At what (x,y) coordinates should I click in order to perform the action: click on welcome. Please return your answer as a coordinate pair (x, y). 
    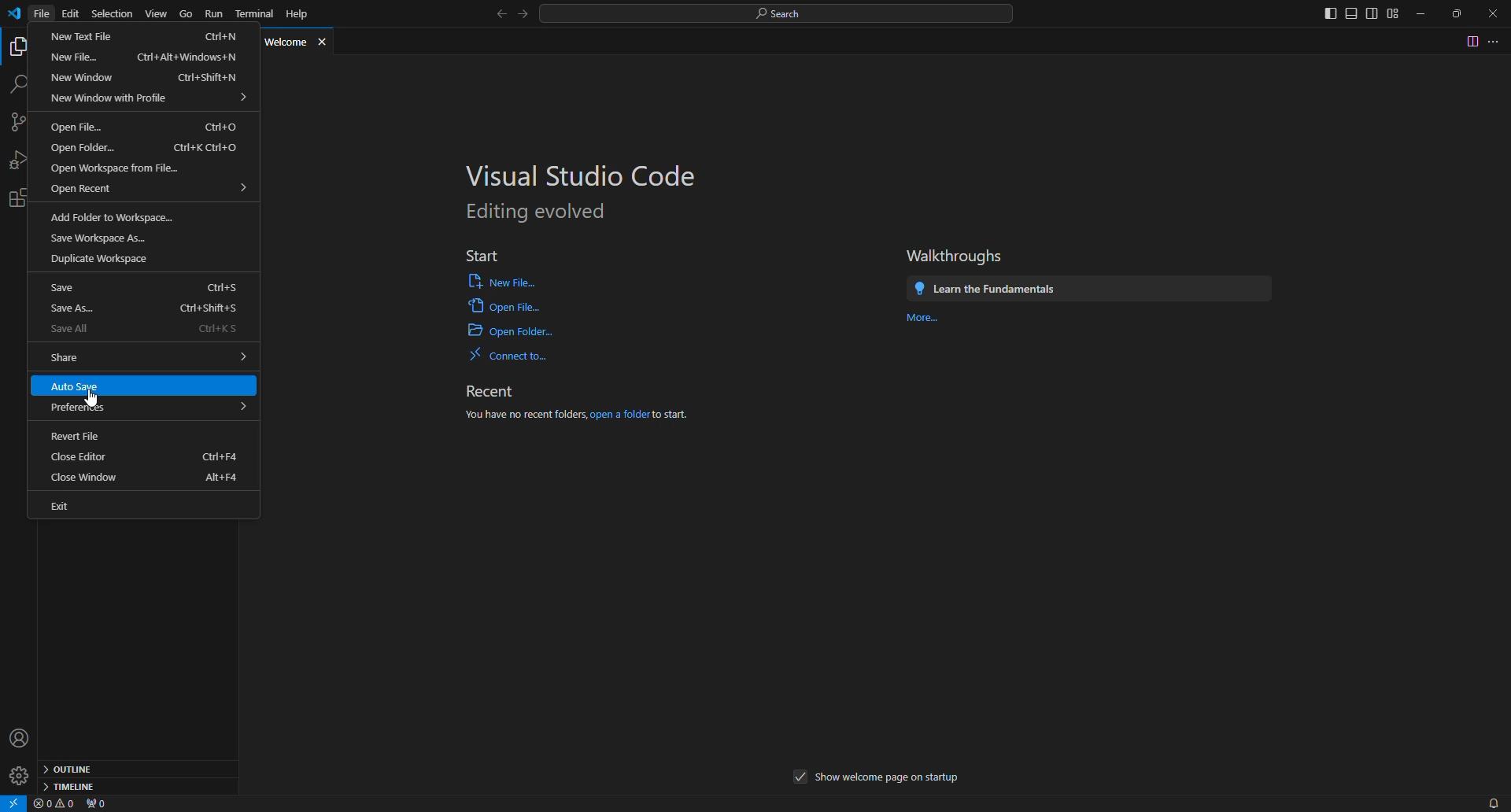
    Looking at the image, I should click on (283, 42).